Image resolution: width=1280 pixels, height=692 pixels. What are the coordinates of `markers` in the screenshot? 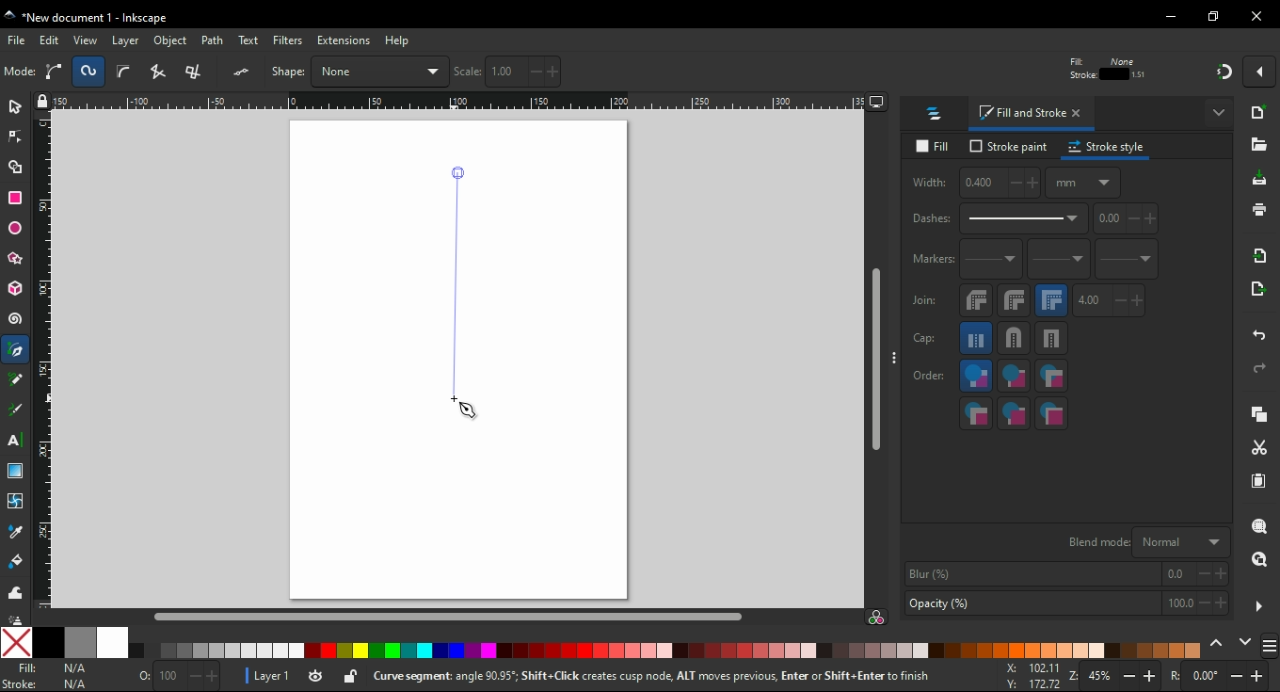 It's located at (931, 259).